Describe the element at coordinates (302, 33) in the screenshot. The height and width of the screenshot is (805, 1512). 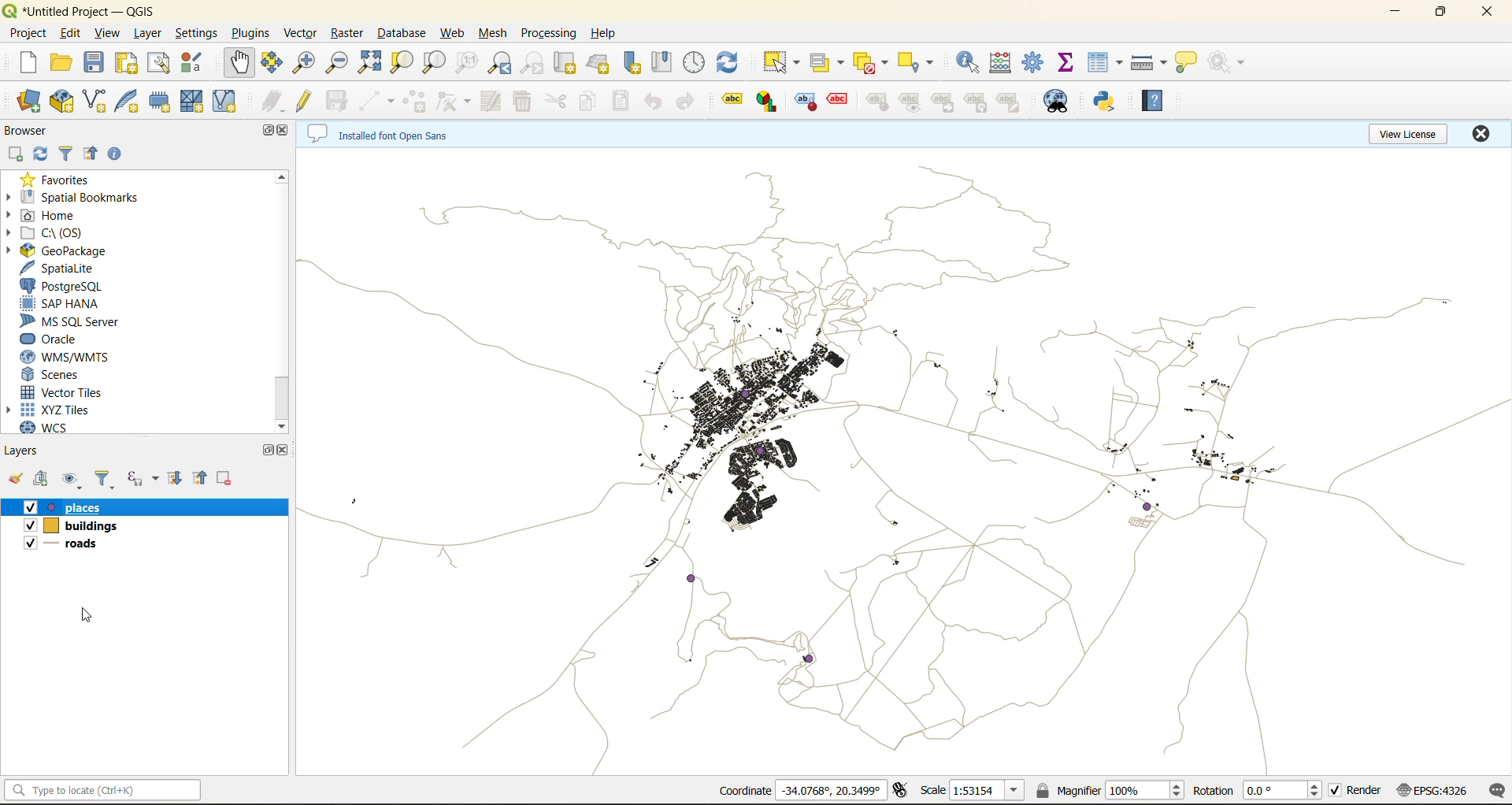
I see `vector` at that location.